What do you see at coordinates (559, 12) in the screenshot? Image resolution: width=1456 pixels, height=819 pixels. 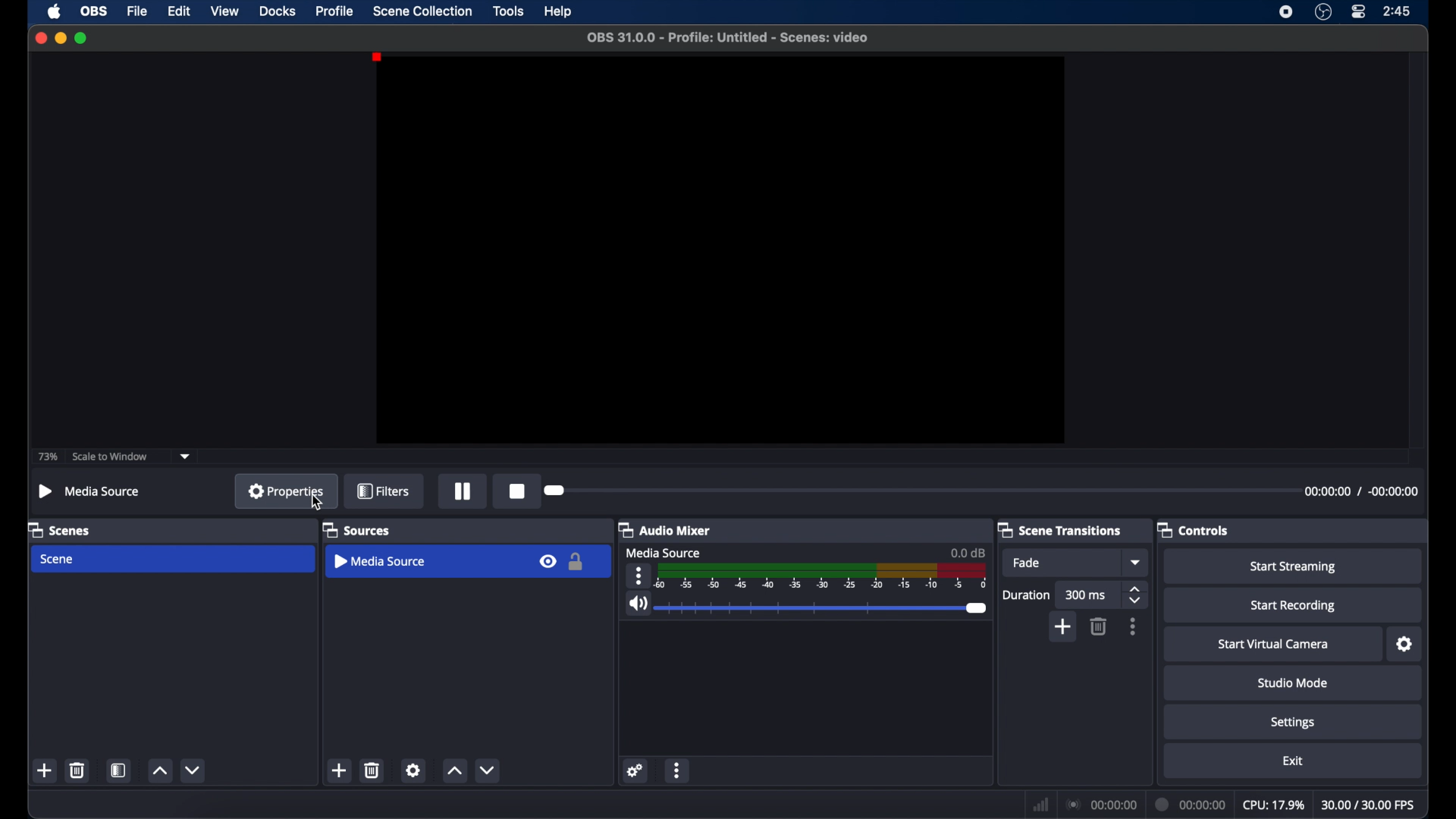 I see `help` at bounding box center [559, 12].